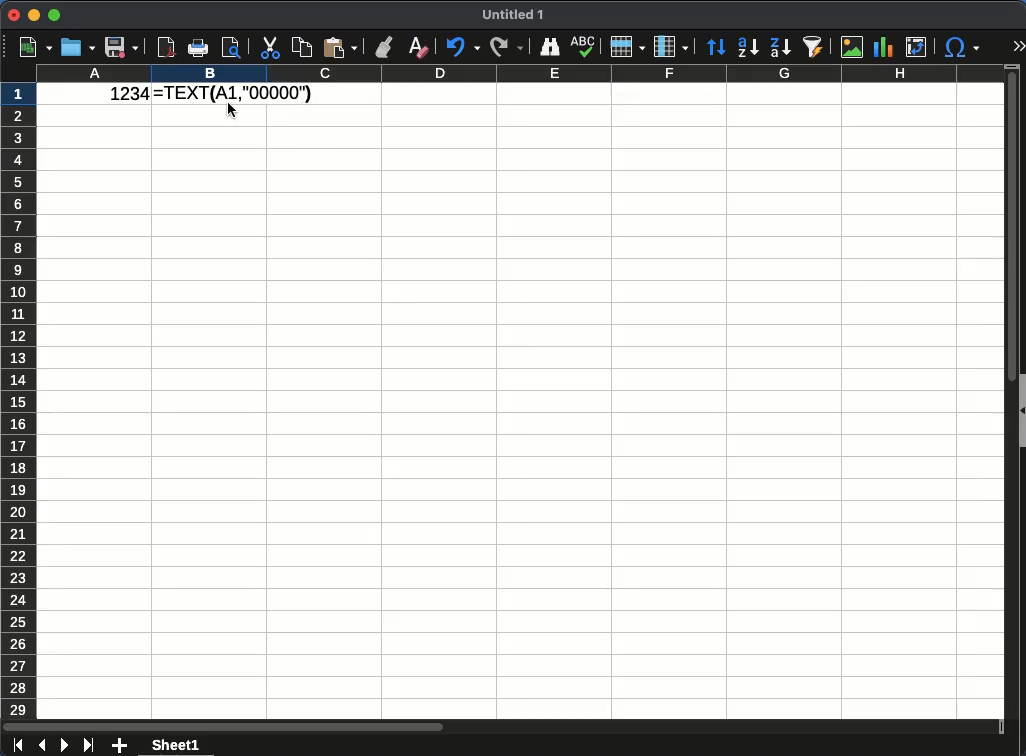  I want to click on expand, so click(1017, 47).